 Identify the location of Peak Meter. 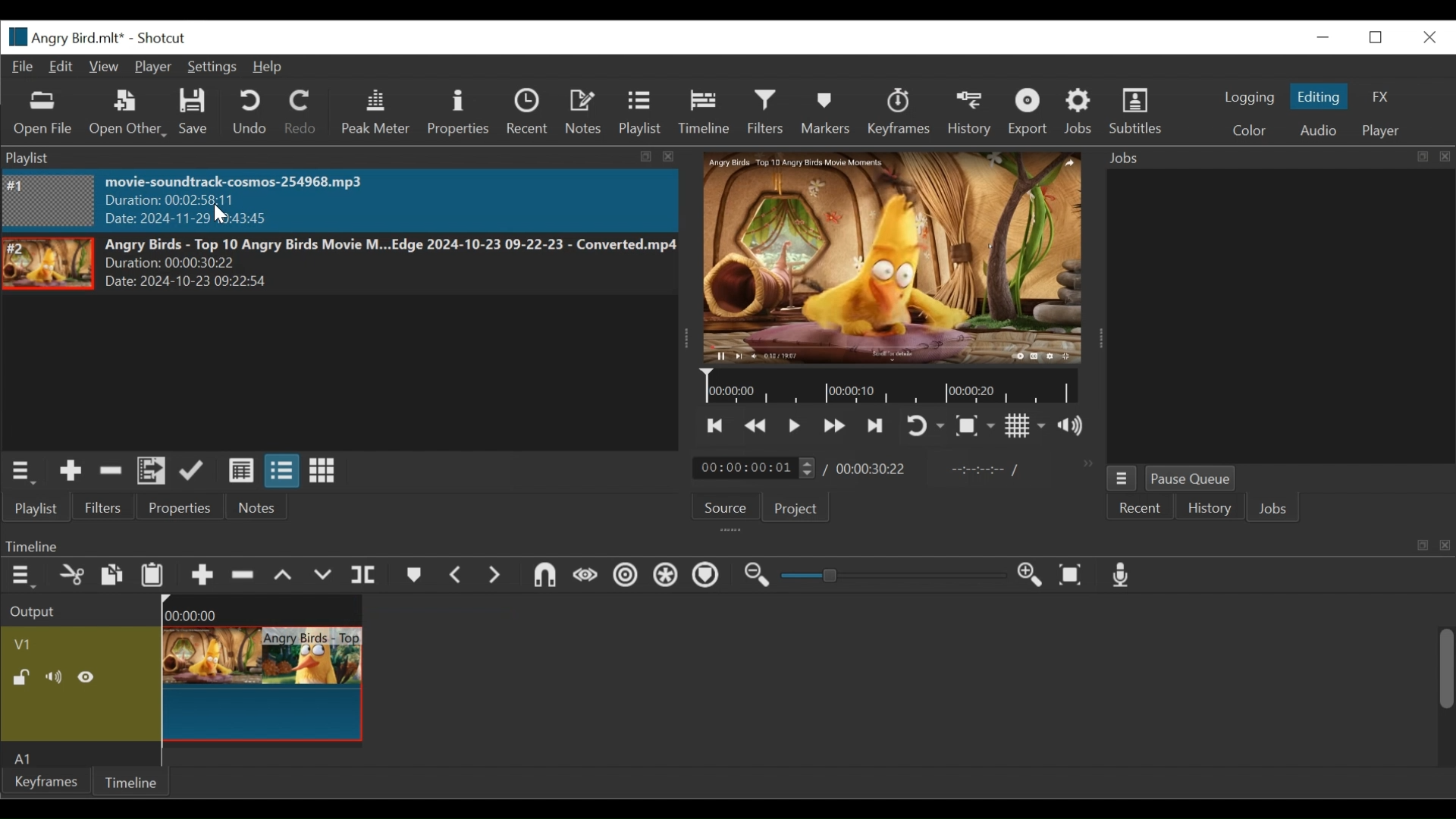
(375, 114).